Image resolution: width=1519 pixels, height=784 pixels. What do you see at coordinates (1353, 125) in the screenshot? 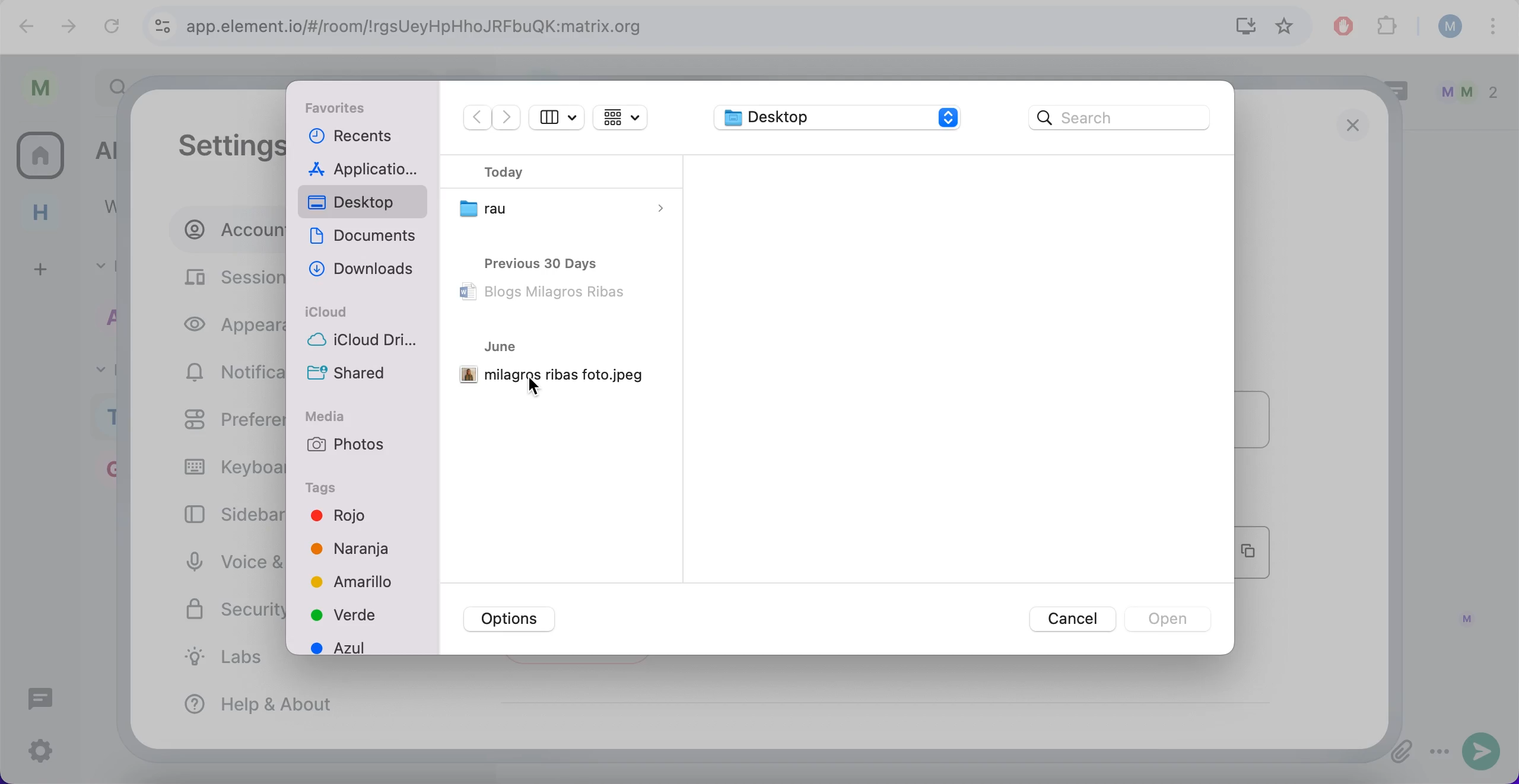
I see `close` at bounding box center [1353, 125].